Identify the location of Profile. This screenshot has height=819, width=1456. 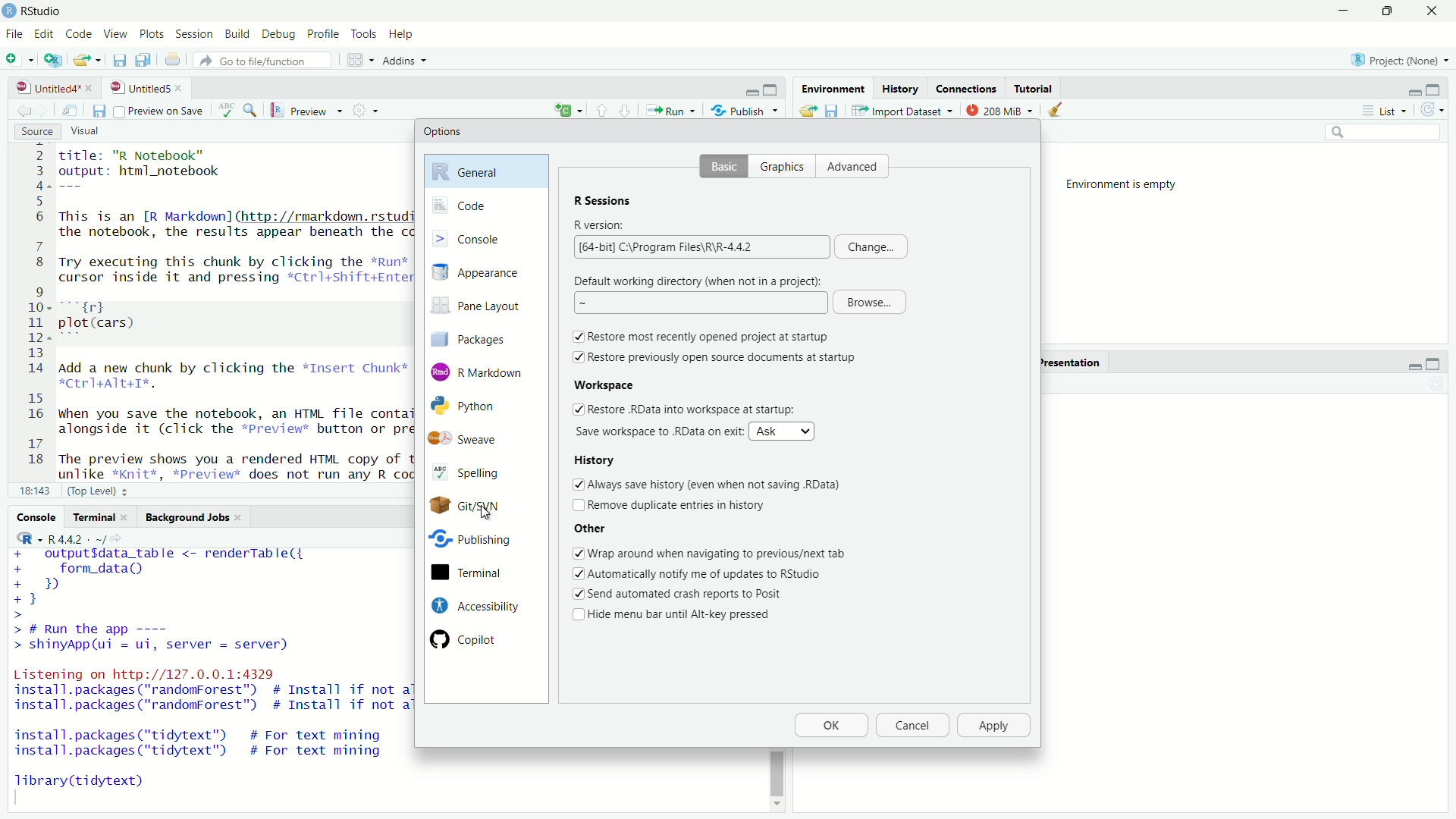
(322, 35).